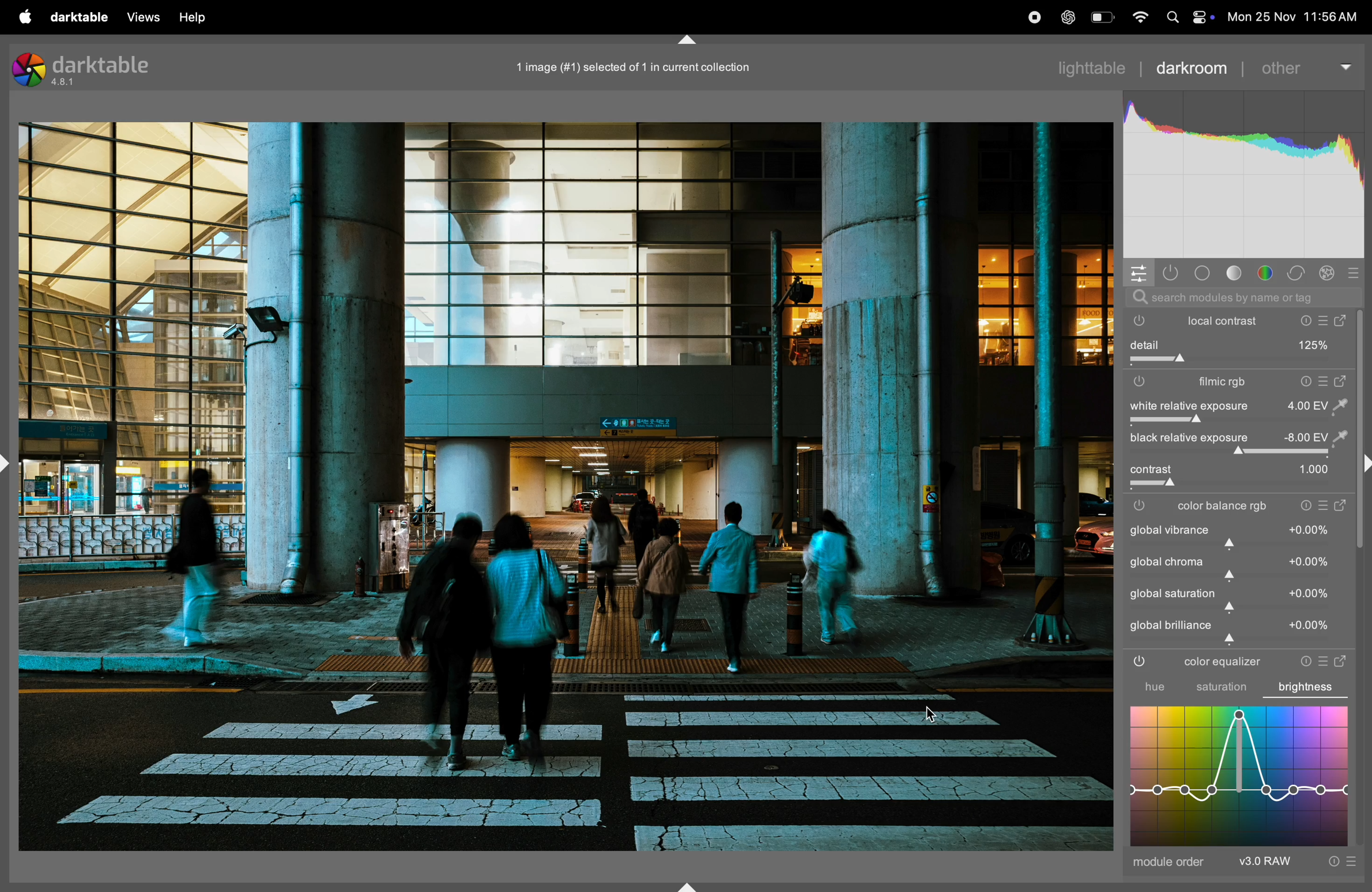 The width and height of the screenshot is (1372, 892). Describe the element at coordinates (1213, 383) in the screenshot. I see `filmic rgb` at that location.